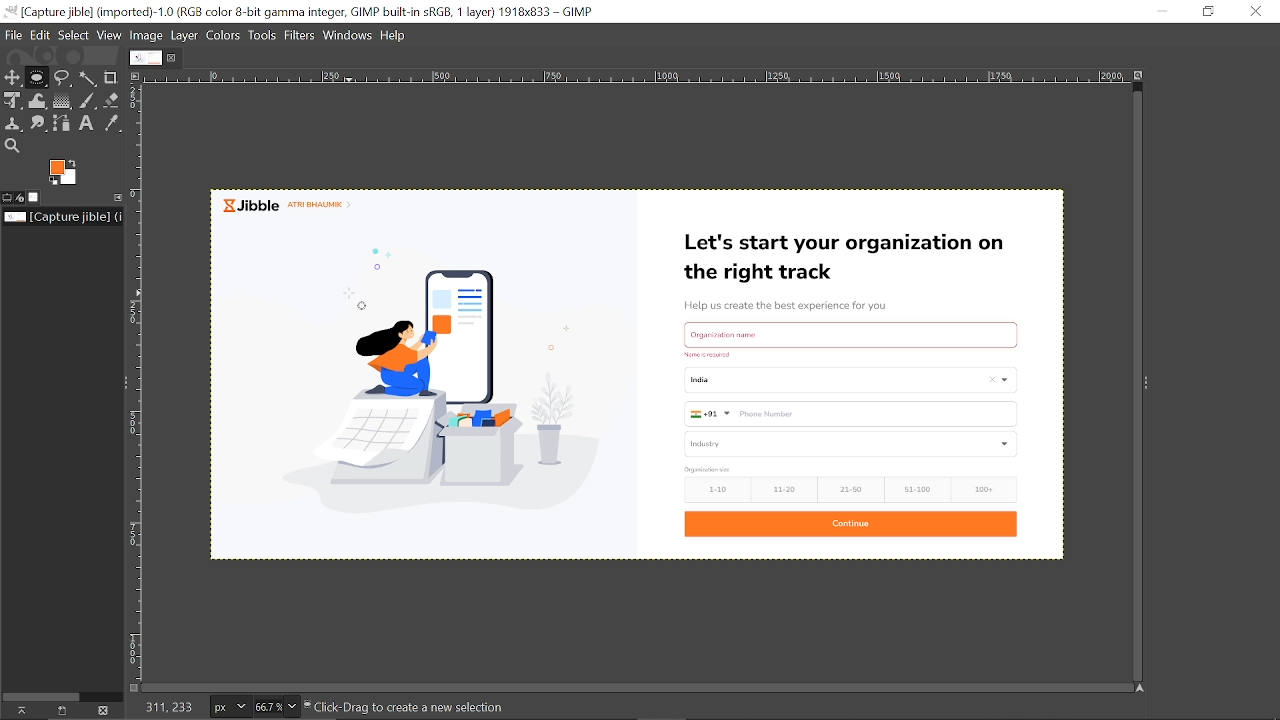 This screenshot has height=720, width=1280. I want to click on Navigate the image display, so click(1138, 688).